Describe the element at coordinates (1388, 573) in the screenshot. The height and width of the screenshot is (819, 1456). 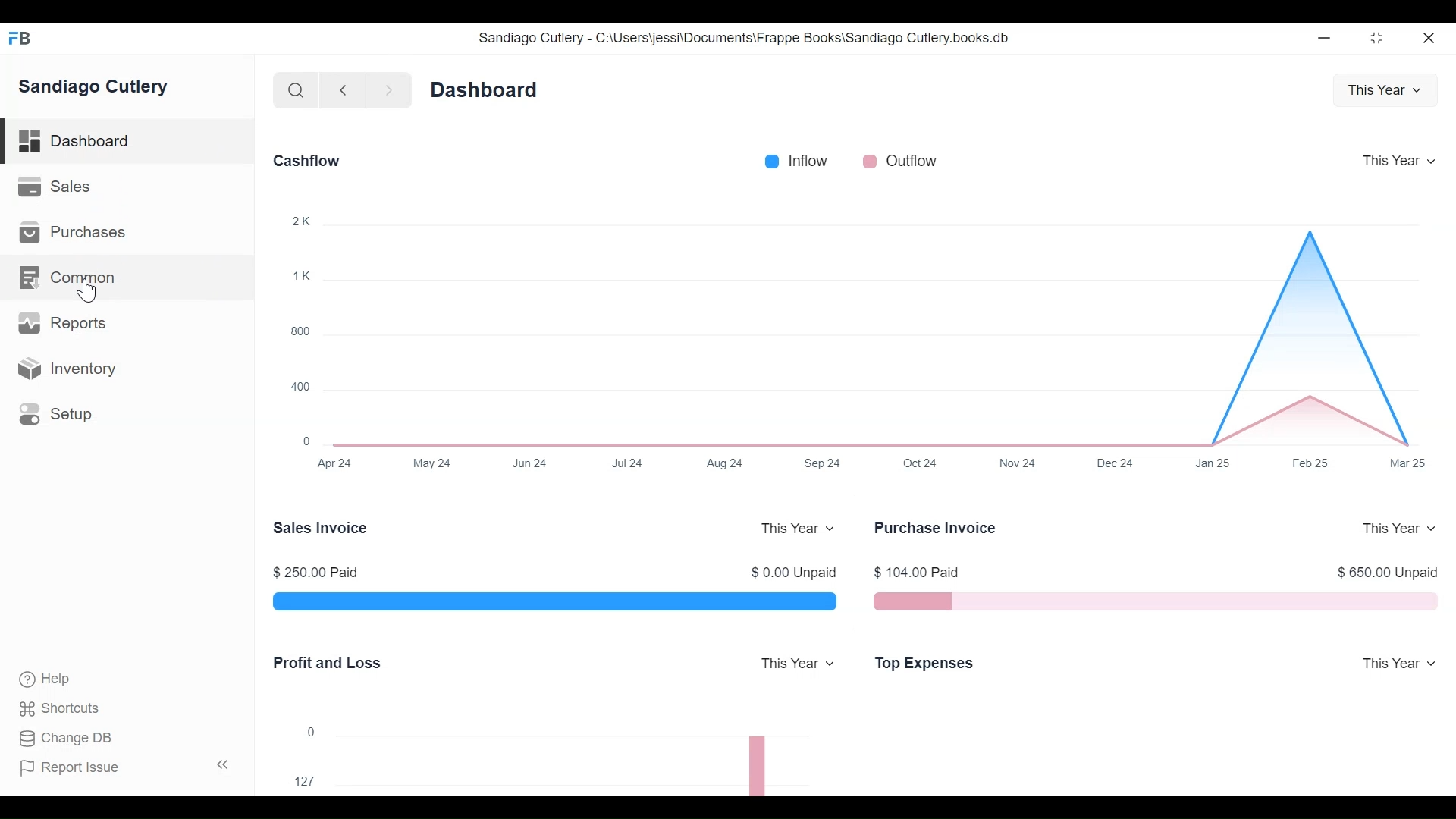
I see `$ 650.00 Unpaid` at that location.